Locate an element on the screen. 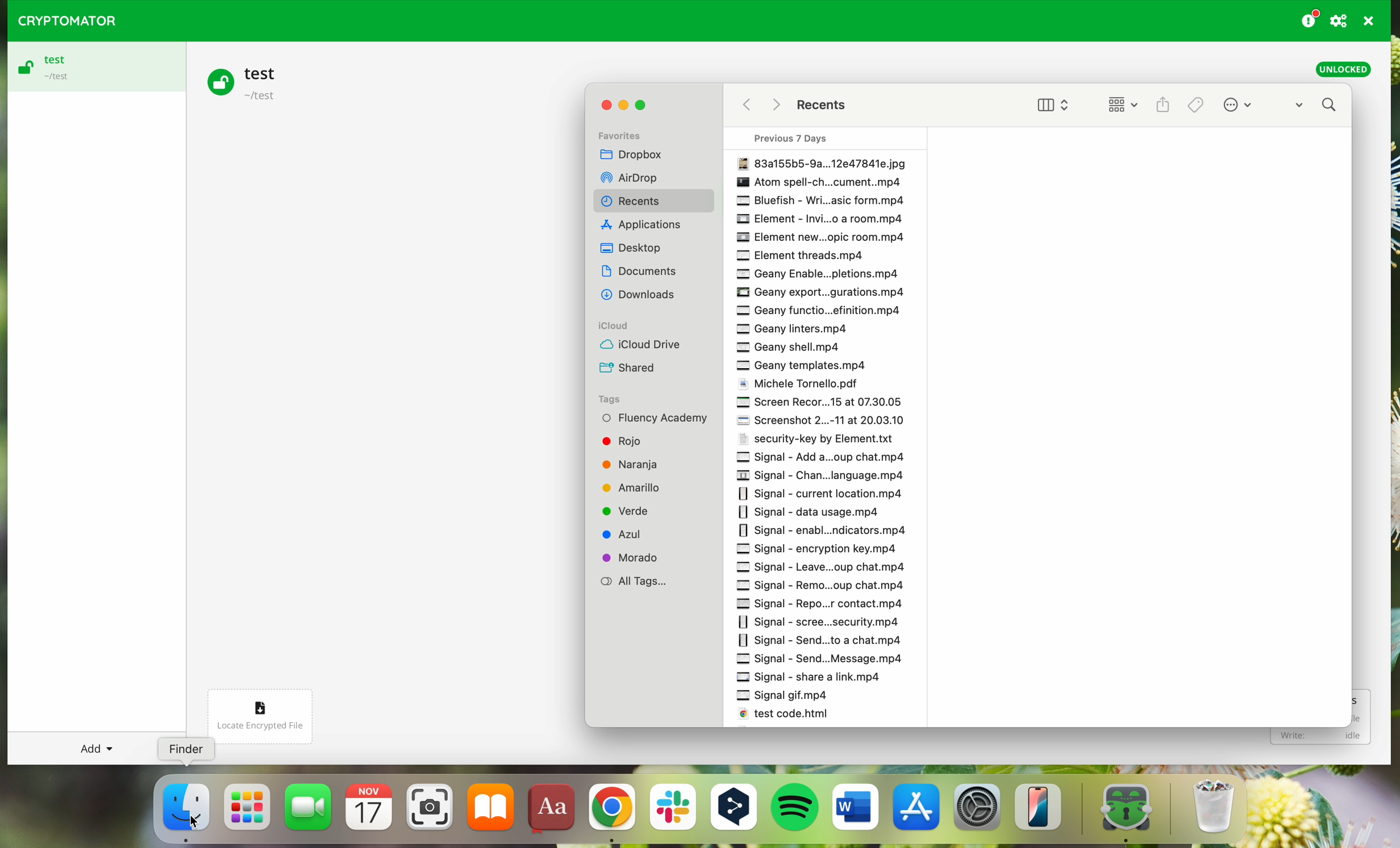   is located at coordinates (643, 271).